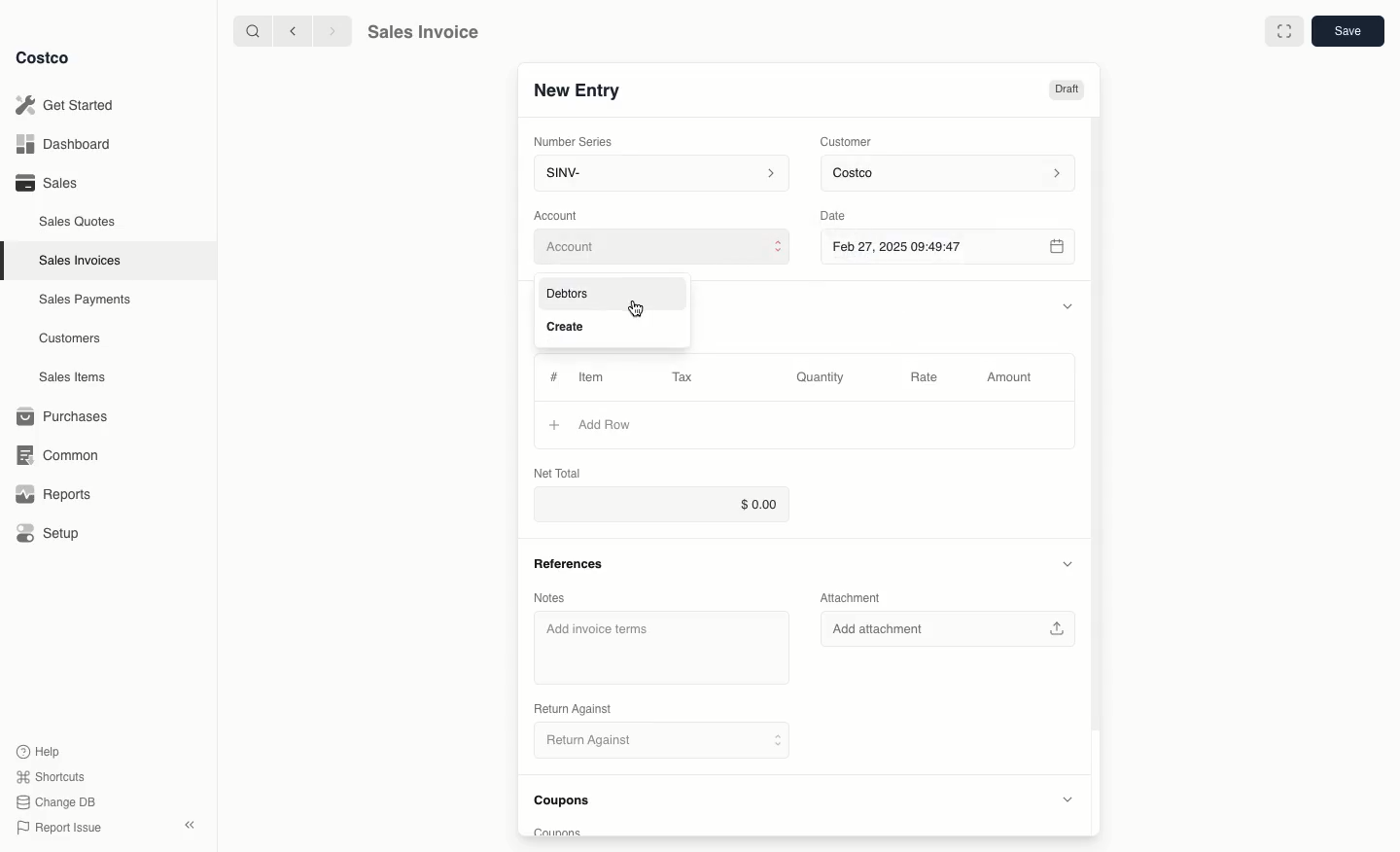 This screenshot has width=1400, height=852. I want to click on ‘Account, so click(559, 214).